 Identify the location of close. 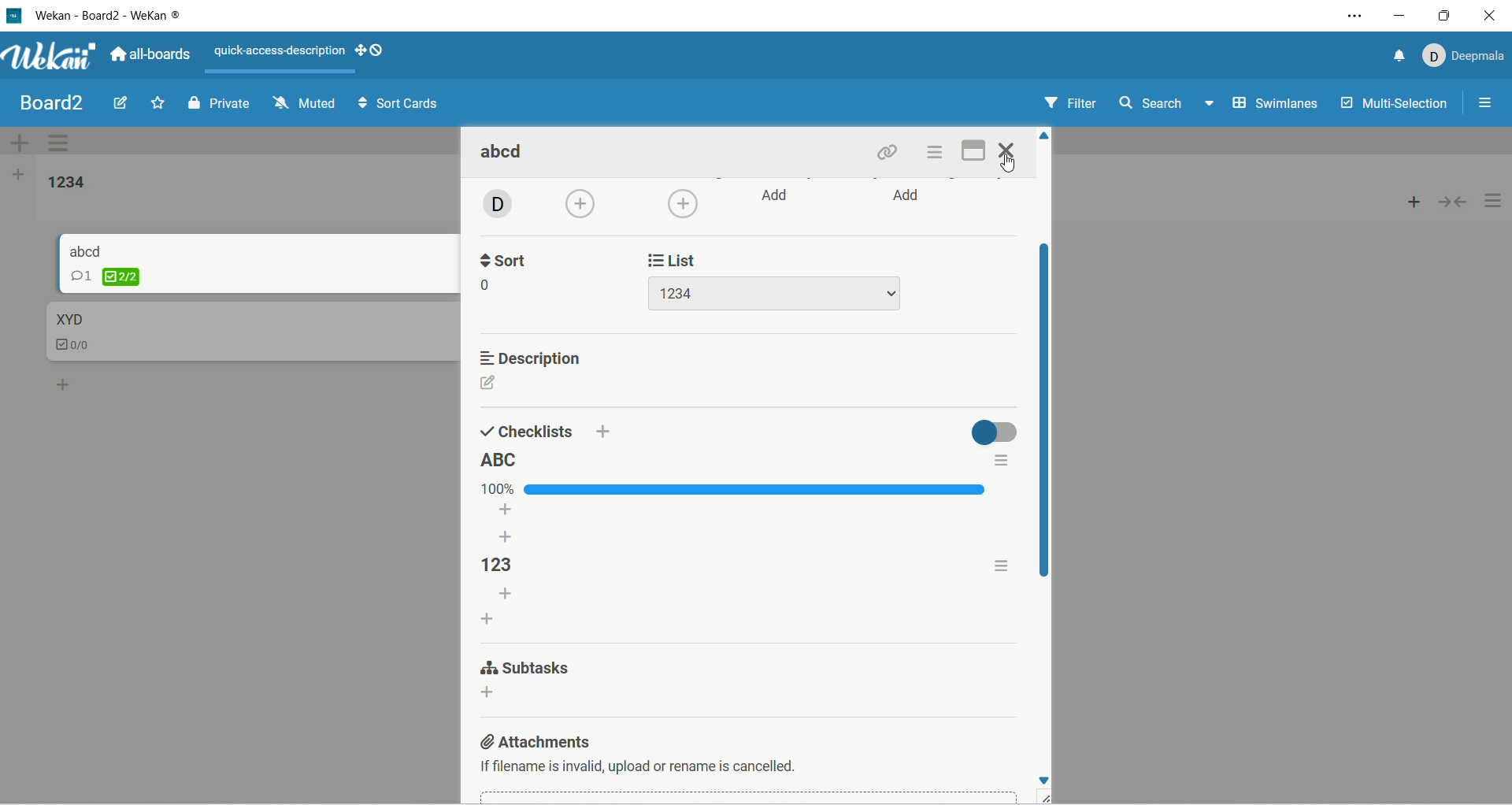
(1483, 17).